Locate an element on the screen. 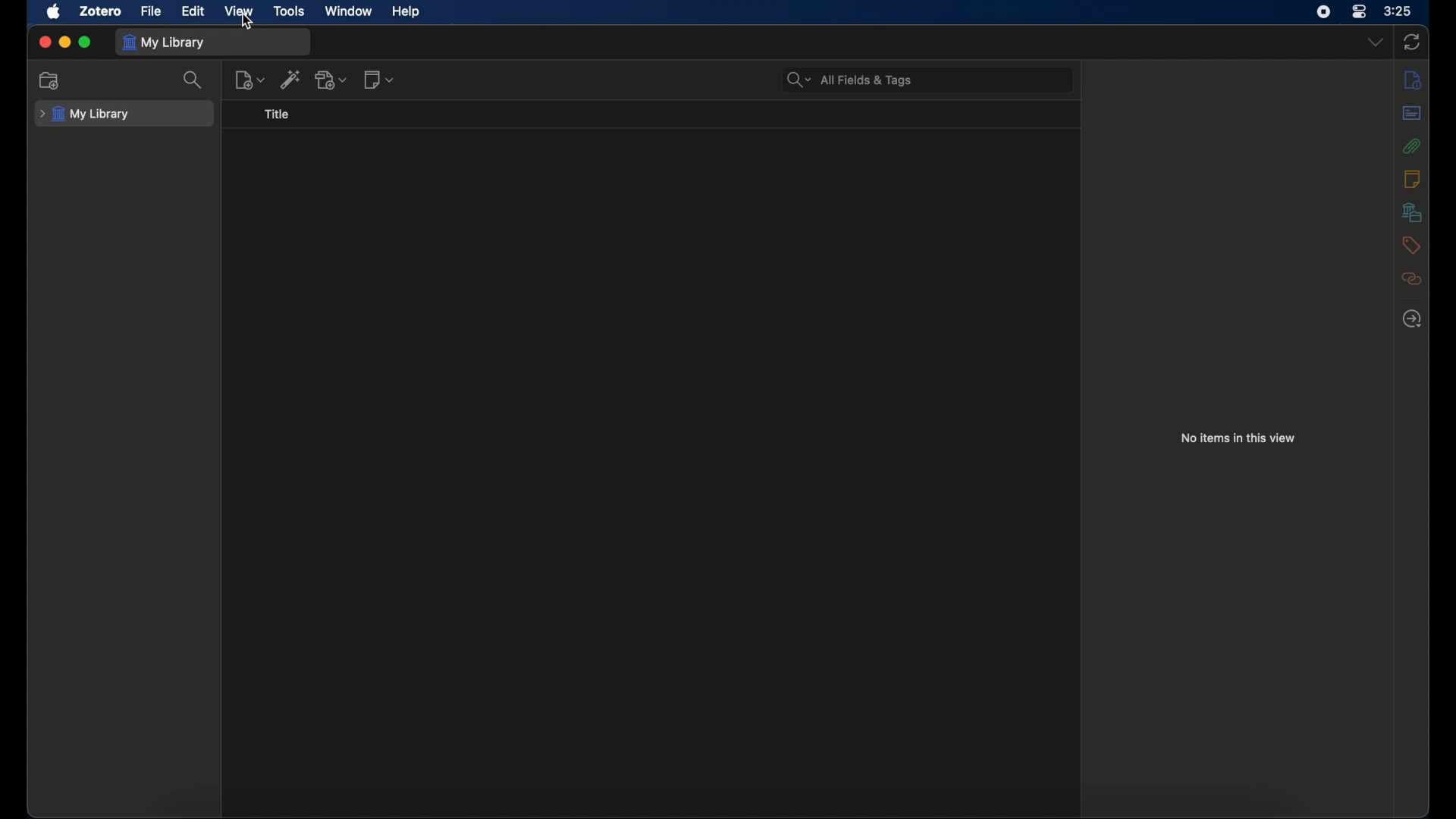 The width and height of the screenshot is (1456, 819). Cursor is located at coordinates (251, 26).